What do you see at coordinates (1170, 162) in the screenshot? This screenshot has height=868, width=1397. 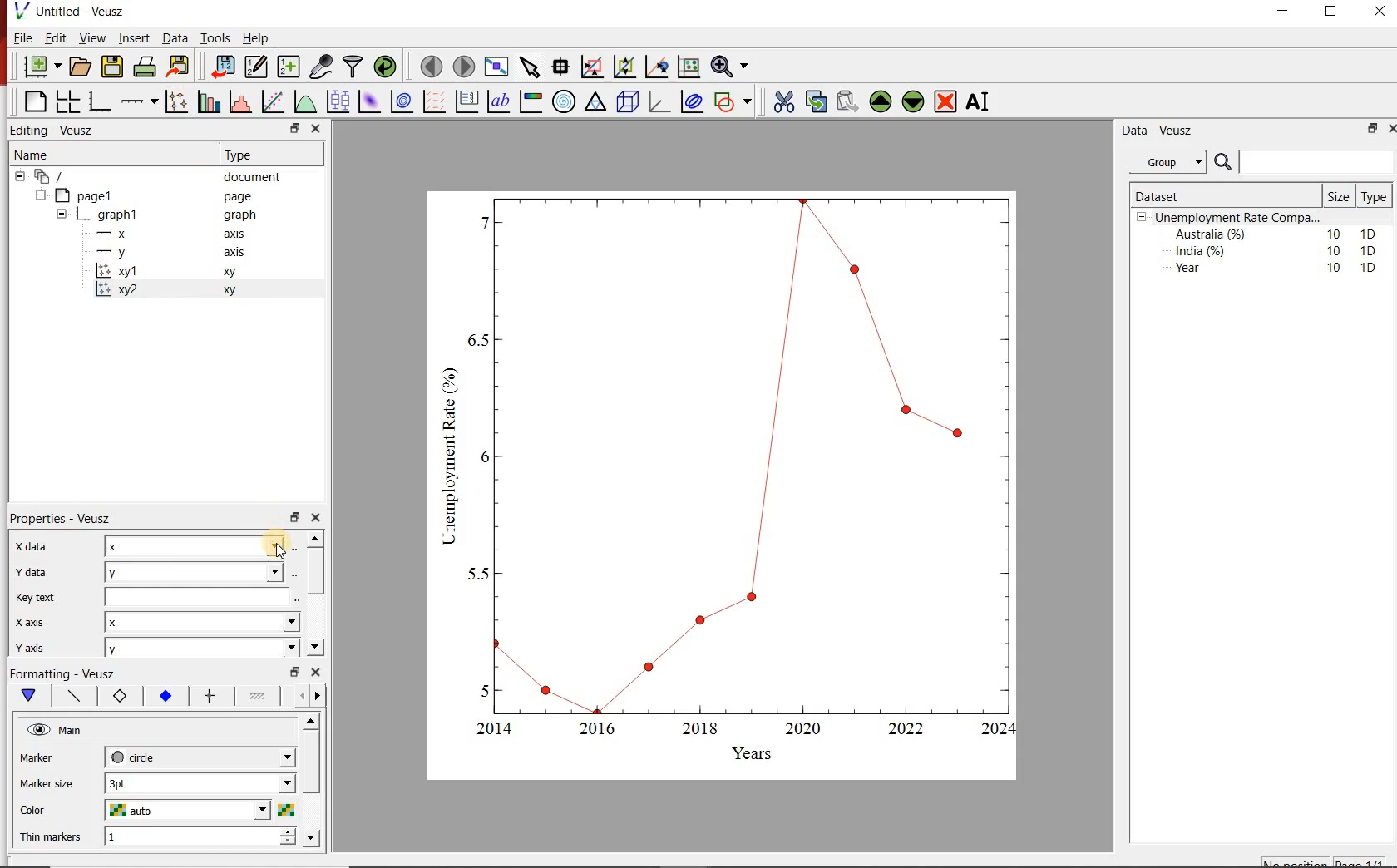 I see `Group` at bounding box center [1170, 162].